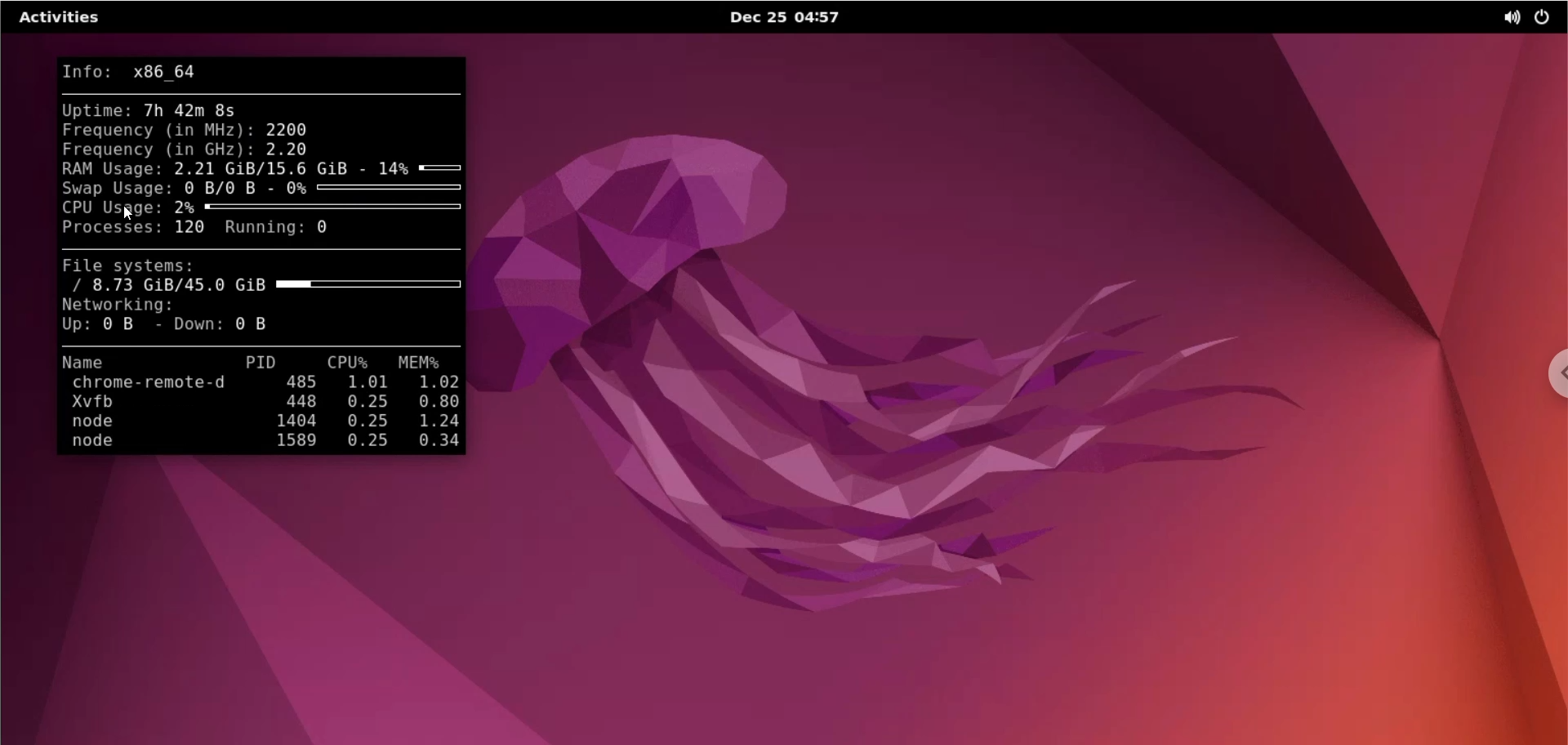 This screenshot has height=745, width=1568. I want to click on swap usage label, so click(116, 189).